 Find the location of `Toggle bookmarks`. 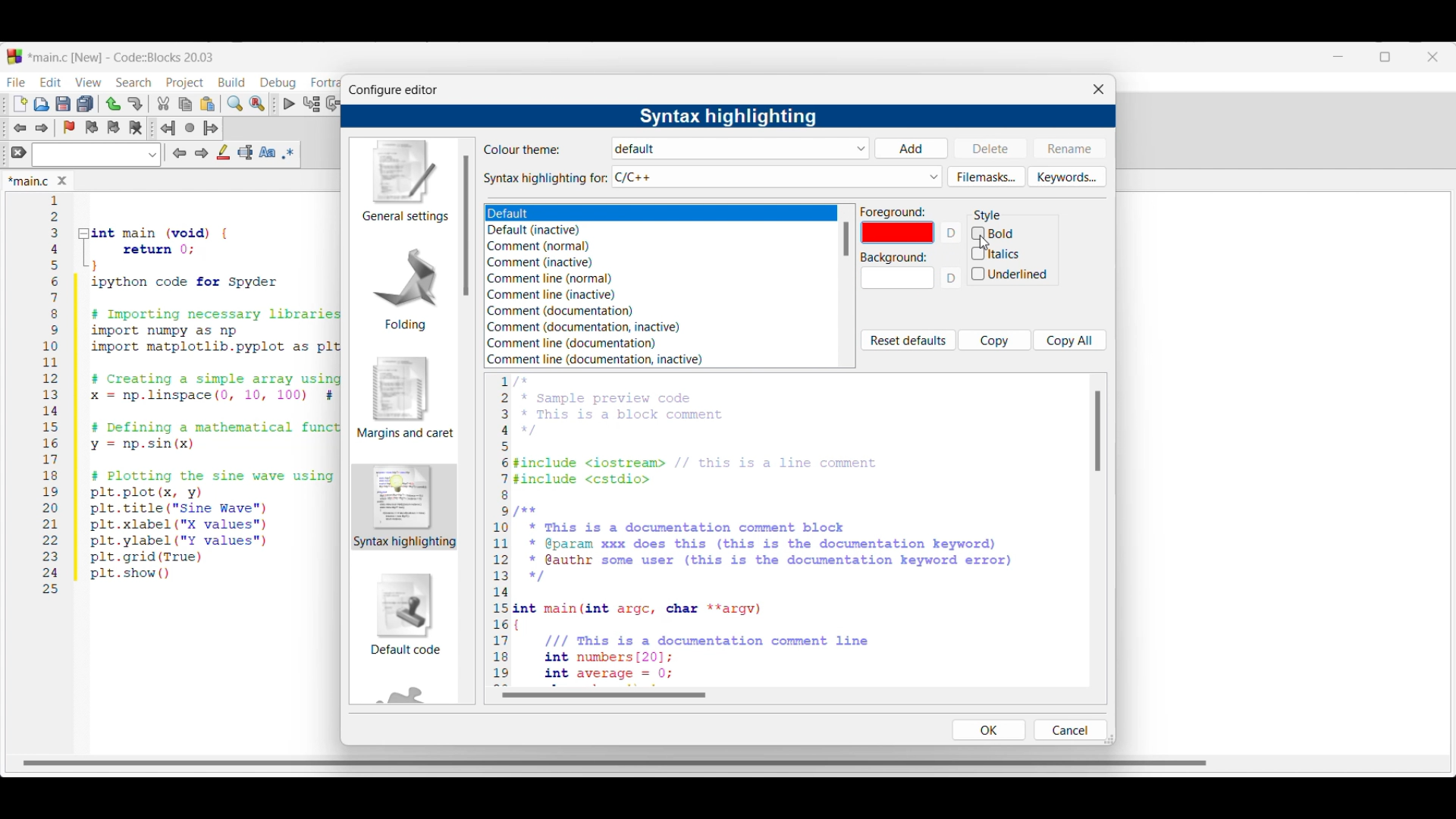

Toggle bookmarks is located at coordinates (69, 127).